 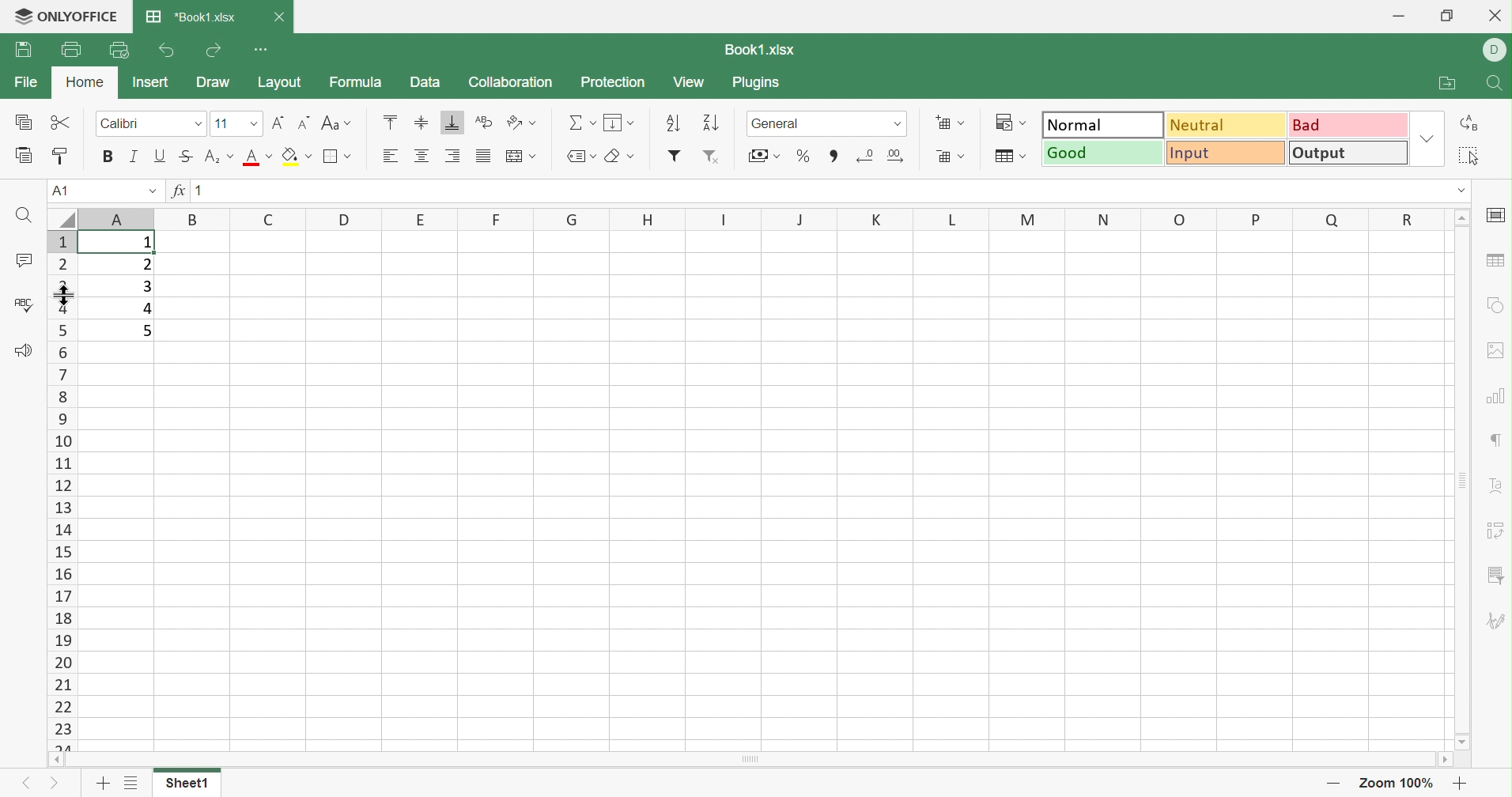 I want to click on 4, so click(x=145, y=308).